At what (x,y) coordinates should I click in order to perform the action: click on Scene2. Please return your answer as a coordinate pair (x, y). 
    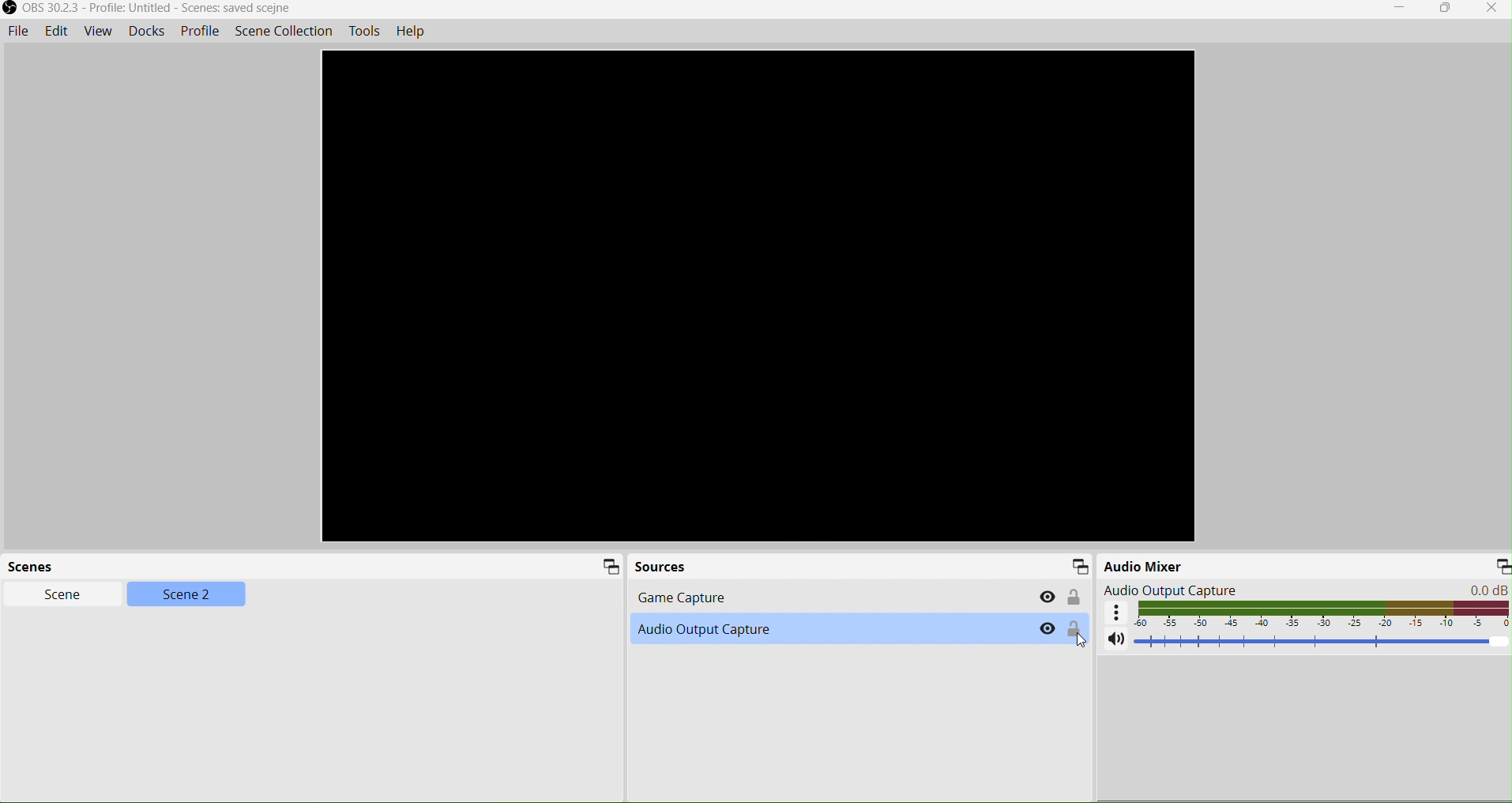
    Looking at the image, I should click on (186, 597).